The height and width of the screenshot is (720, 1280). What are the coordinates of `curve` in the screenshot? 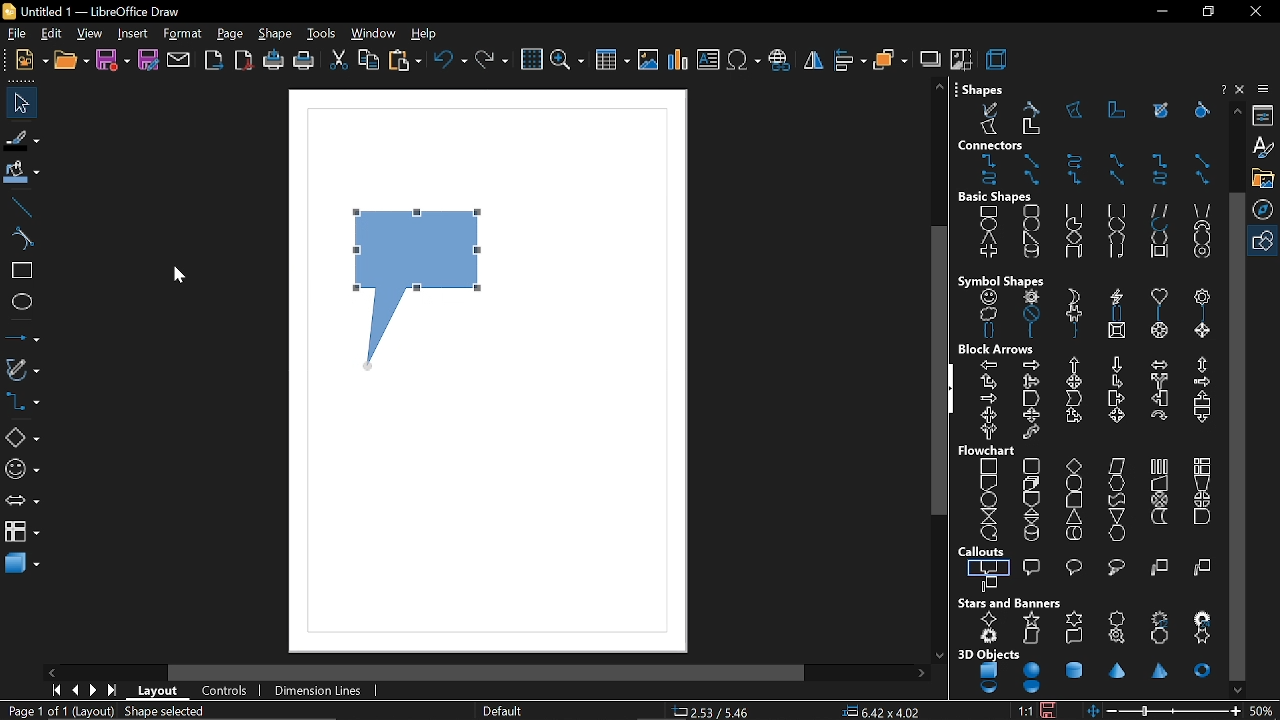 It's located at (1035, 108).